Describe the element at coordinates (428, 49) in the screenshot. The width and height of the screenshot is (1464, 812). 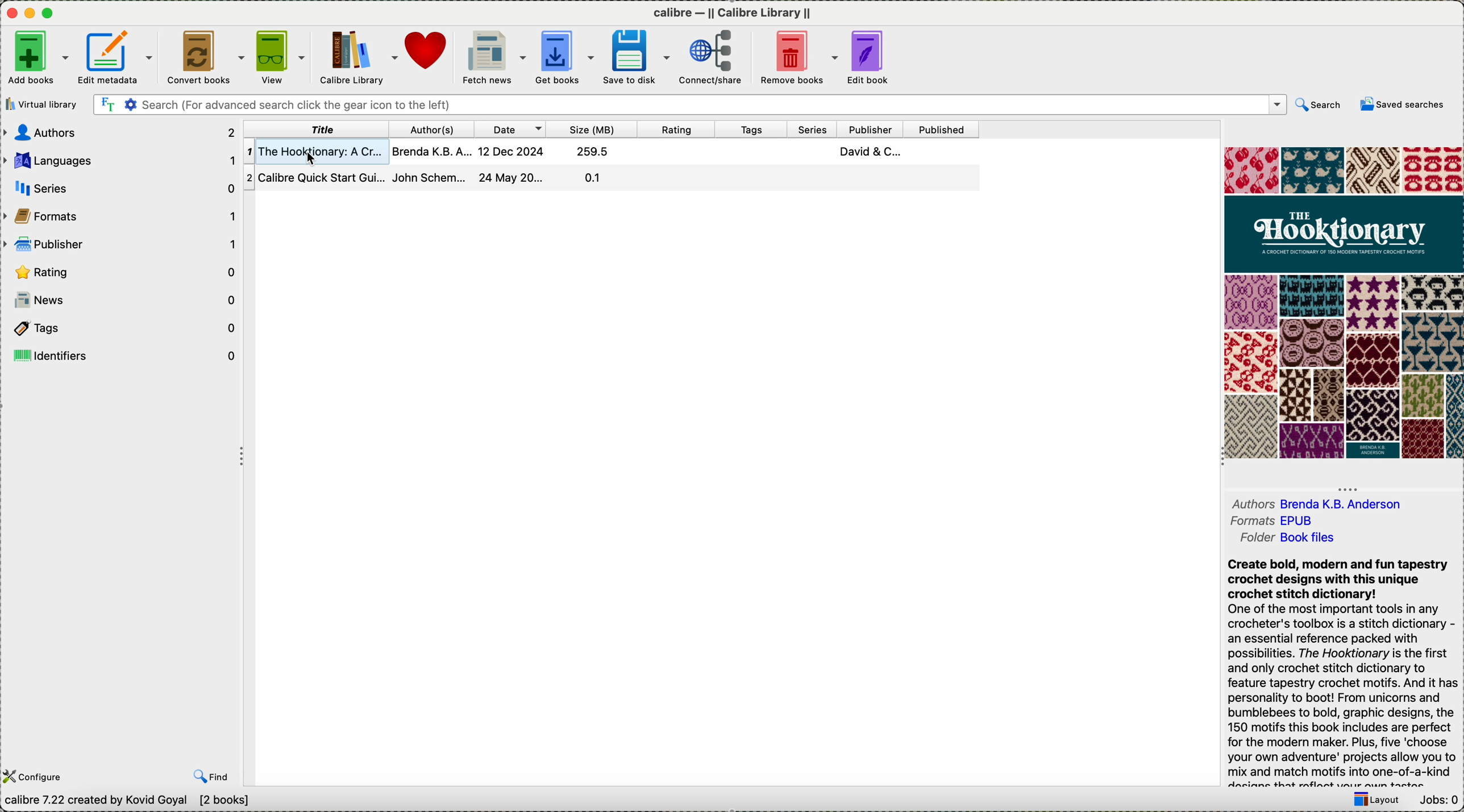
I see `donate` at that location.